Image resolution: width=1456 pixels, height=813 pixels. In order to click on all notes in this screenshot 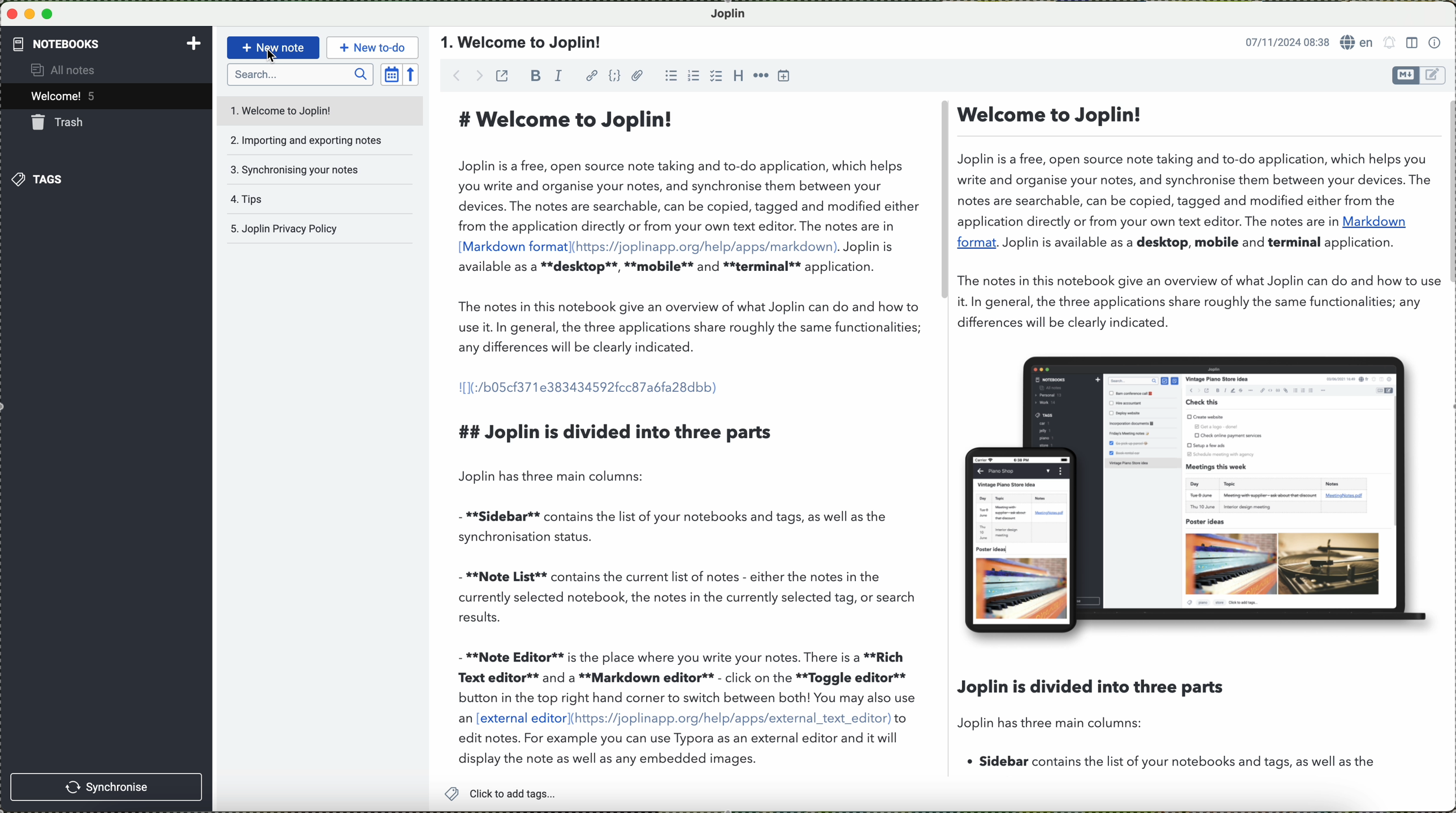, I will do `click(73, 71)`.